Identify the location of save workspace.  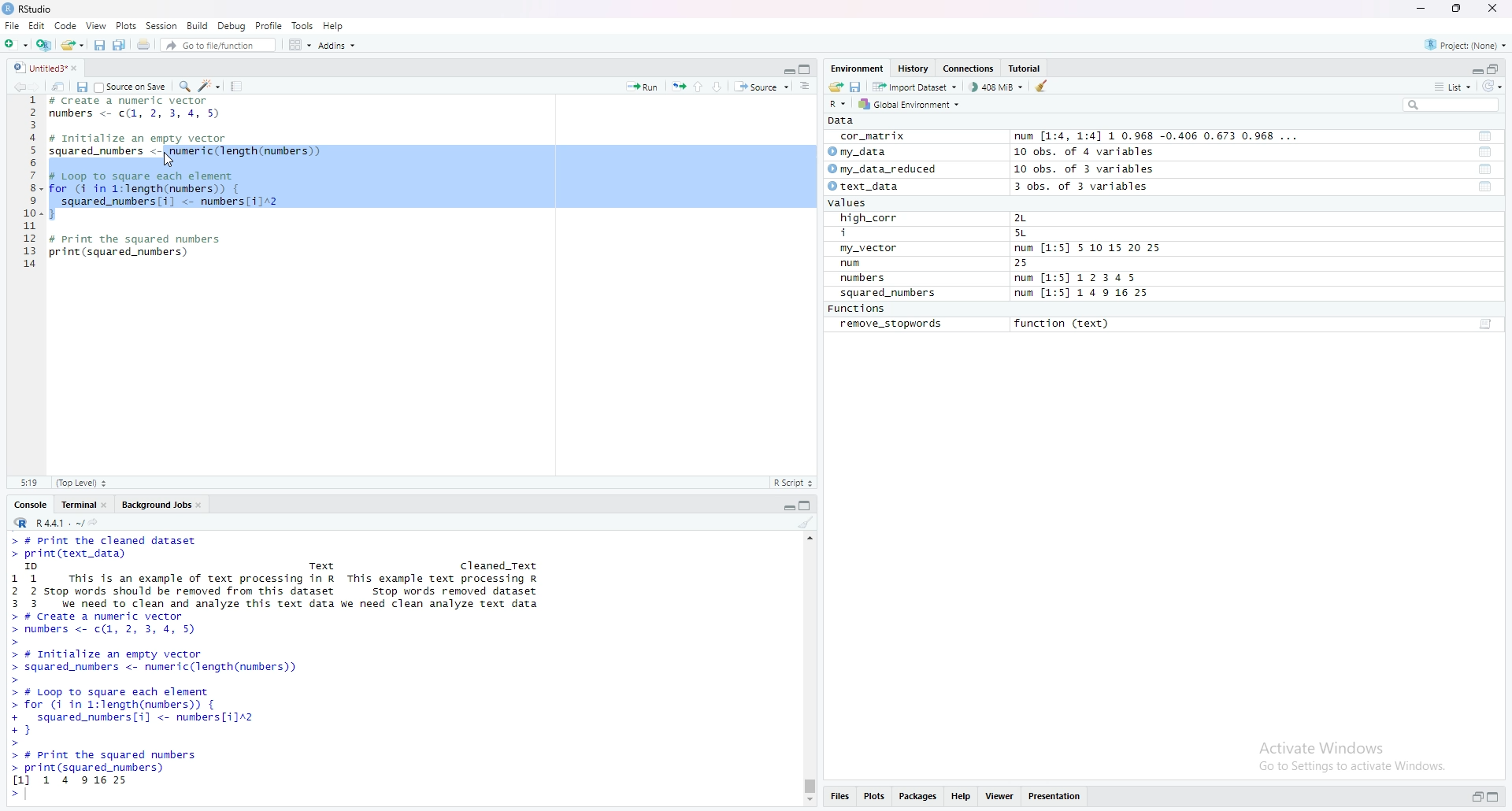
(856, 86).